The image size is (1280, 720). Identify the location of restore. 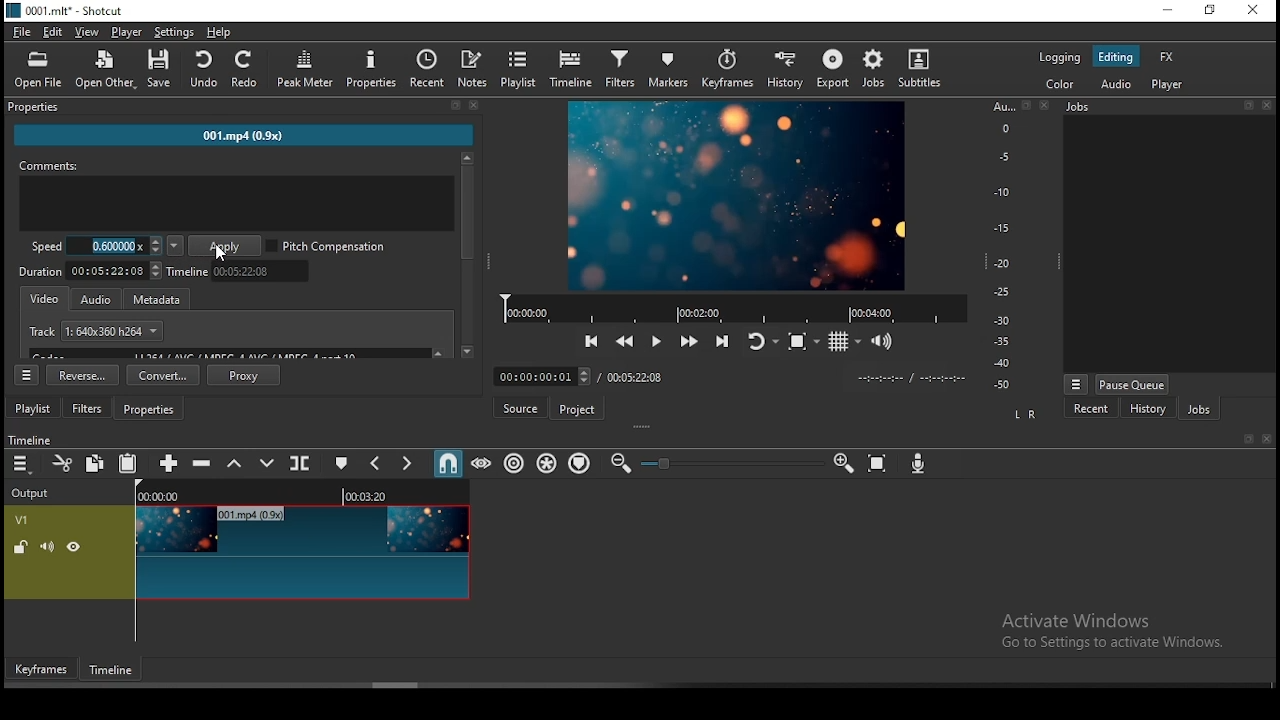
(1213, 10).